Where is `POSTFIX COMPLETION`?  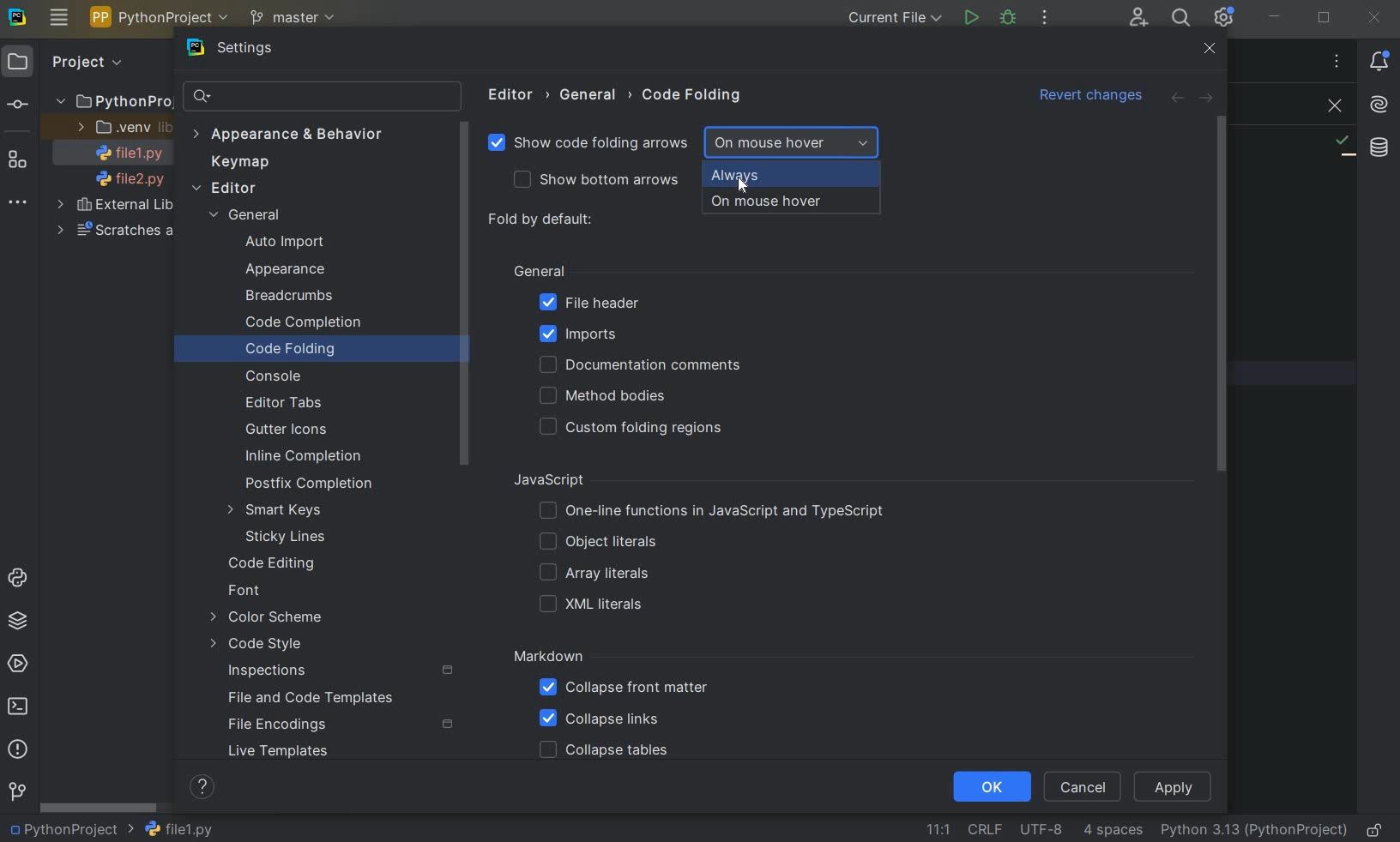 POSTFIX COMPLETION is located at coordinates (306, 485).